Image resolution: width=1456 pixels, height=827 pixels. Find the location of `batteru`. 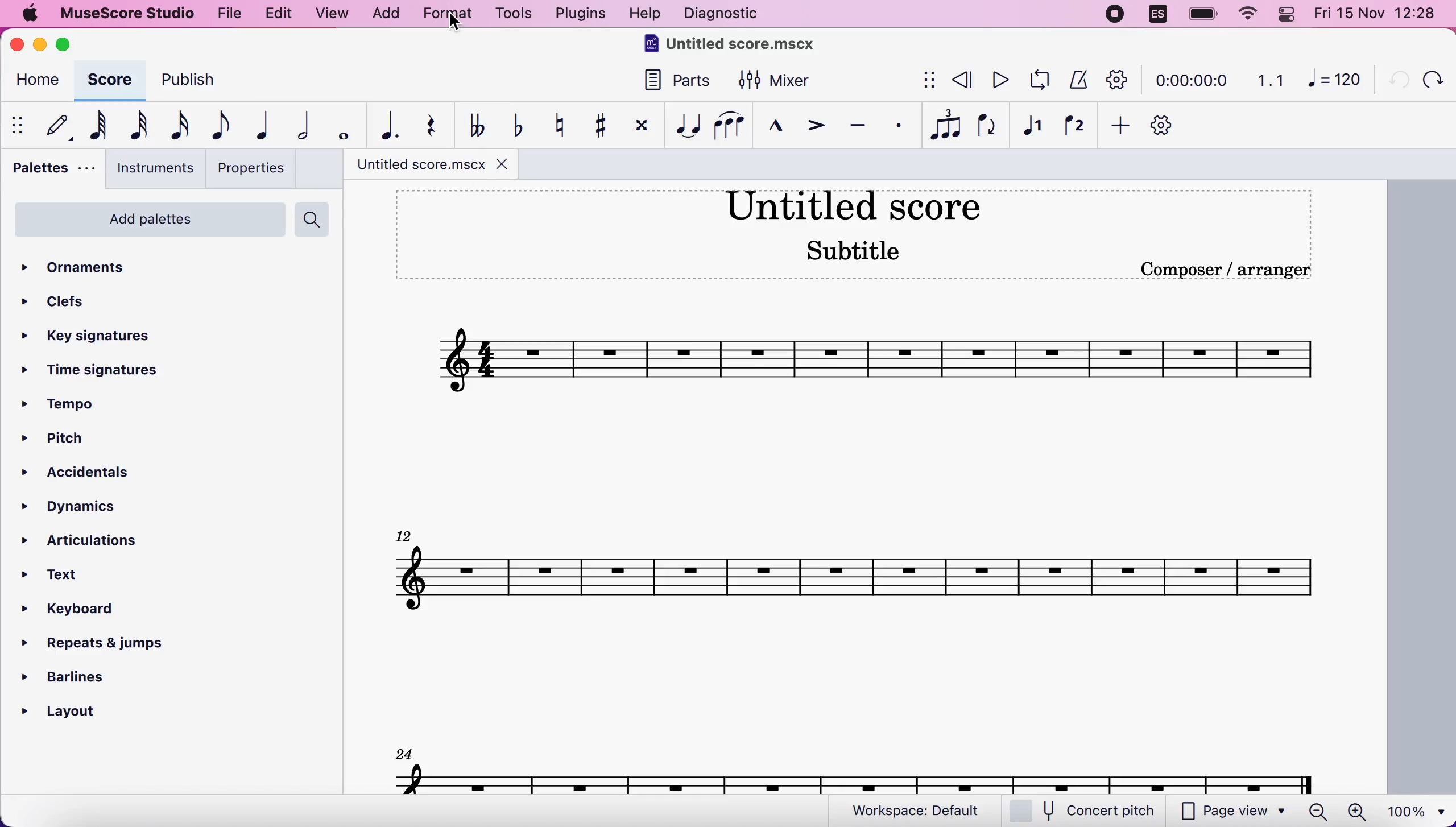

batteru is located at coordinates (1203, 15).